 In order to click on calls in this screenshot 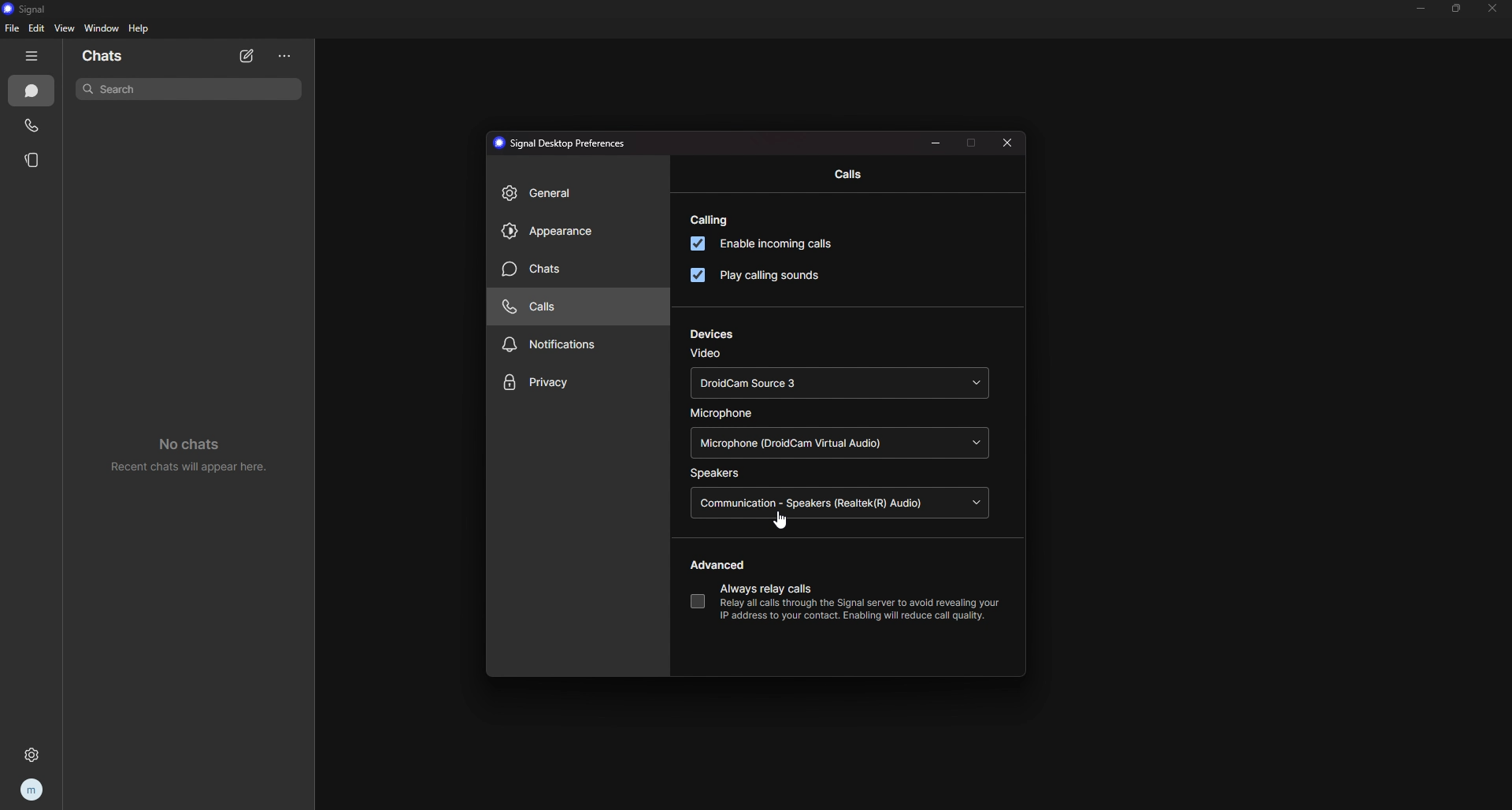, I will do `click(32, 125)`.